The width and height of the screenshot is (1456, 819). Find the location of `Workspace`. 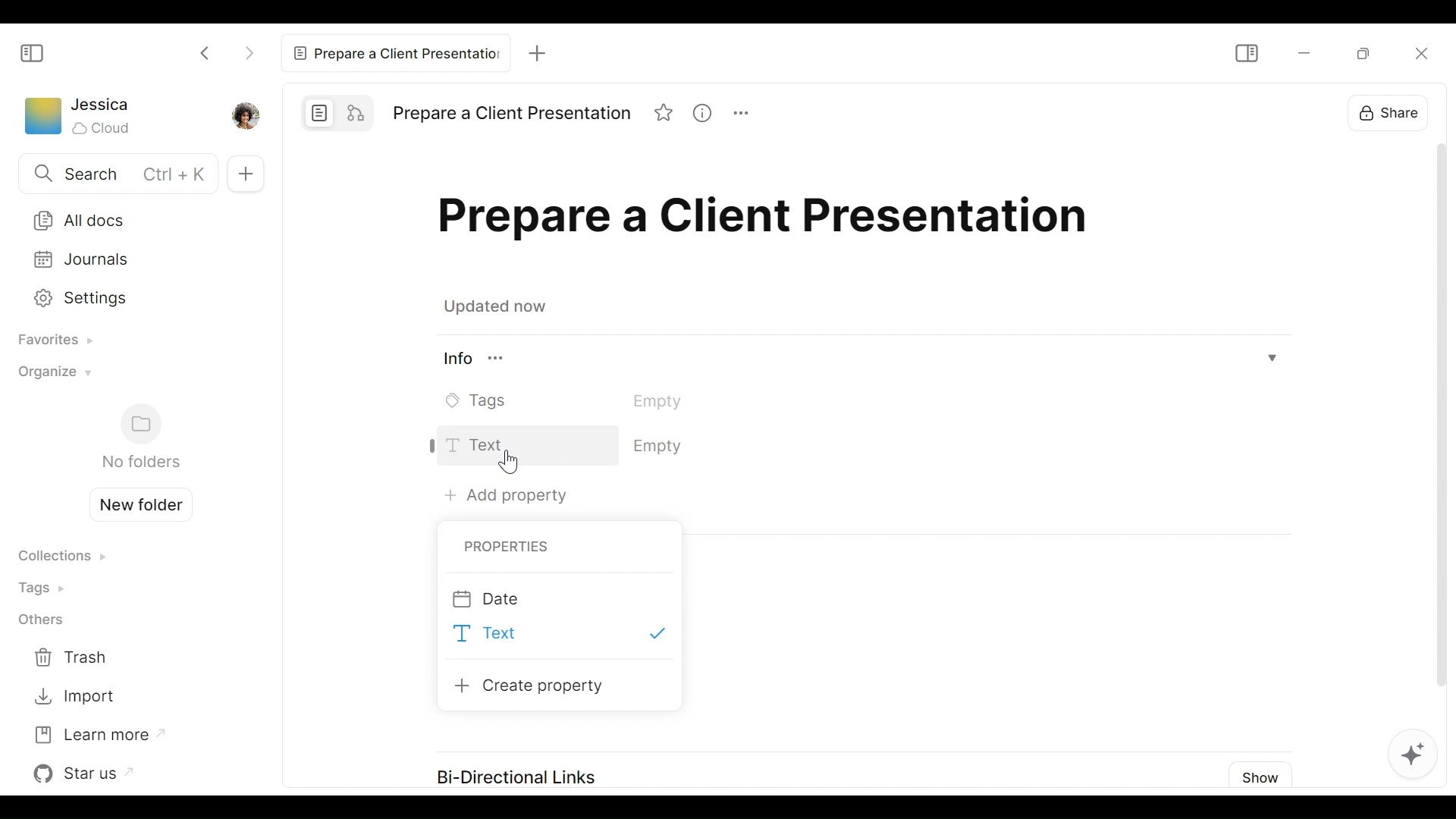

Workspace is located at coordinates (42, 119).